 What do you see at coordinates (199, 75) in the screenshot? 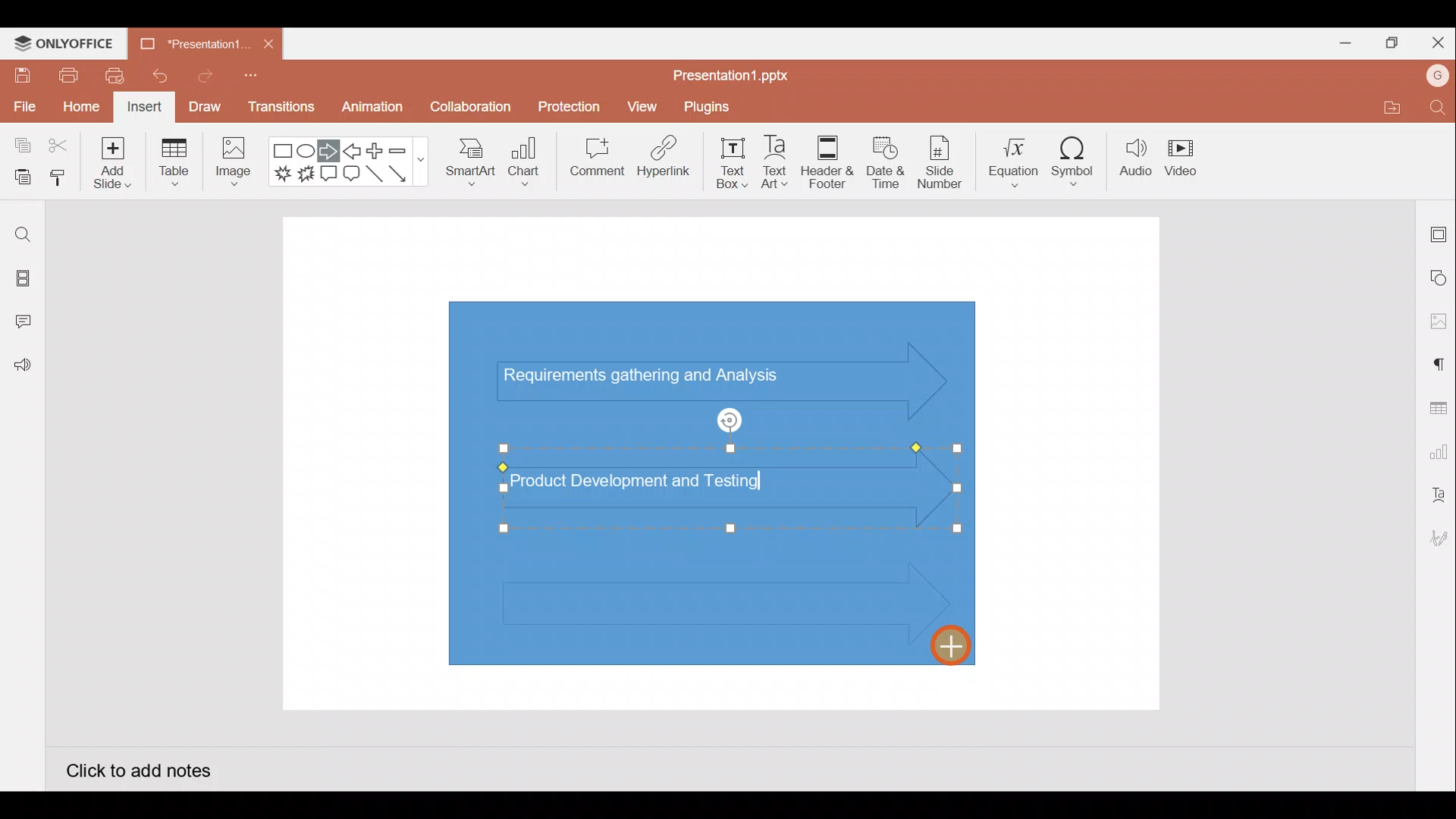
I see `Redo` at bounding box center [199, 75].